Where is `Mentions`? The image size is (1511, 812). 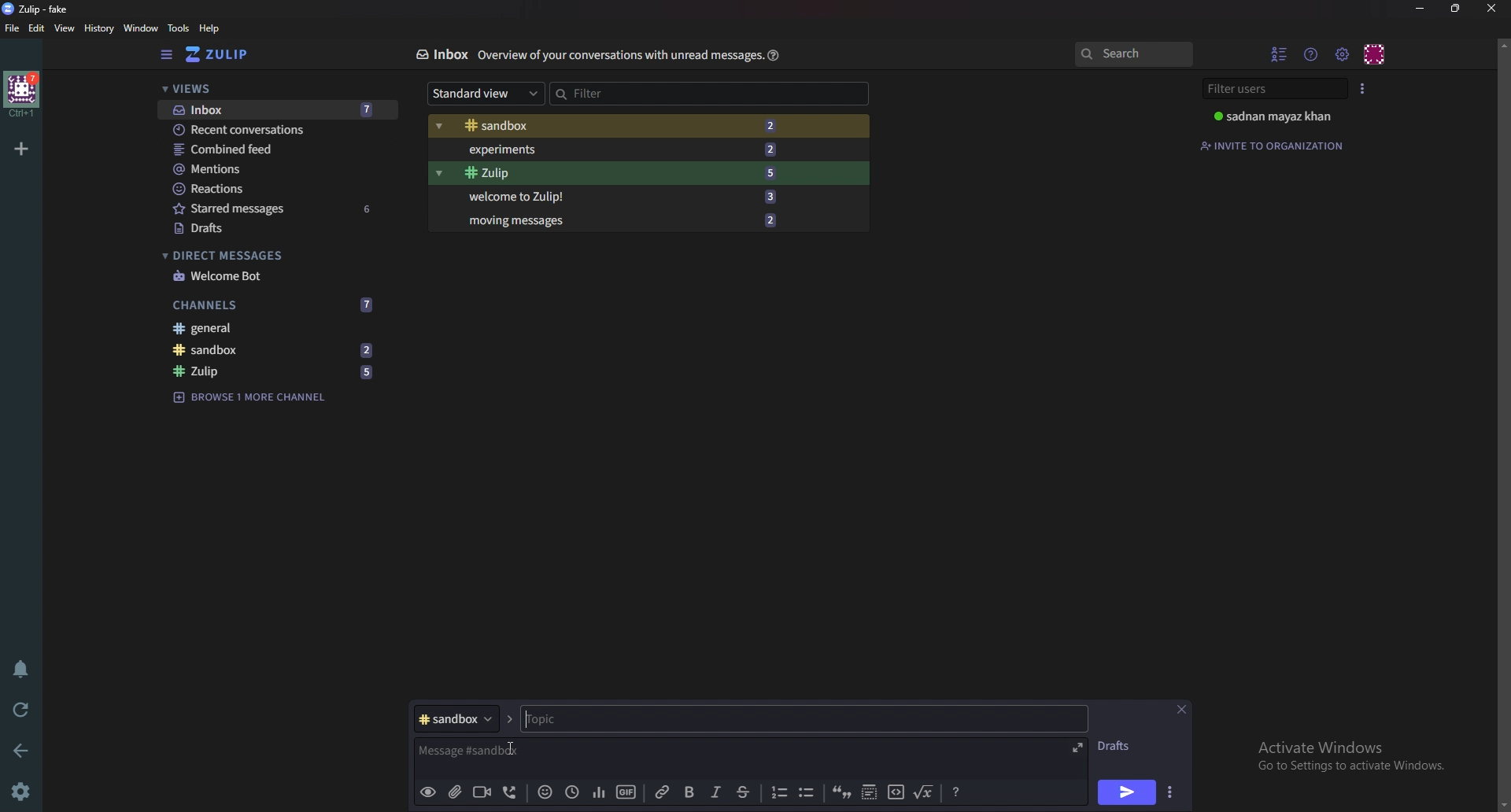 Mentions is located at coordinates (276, 169).